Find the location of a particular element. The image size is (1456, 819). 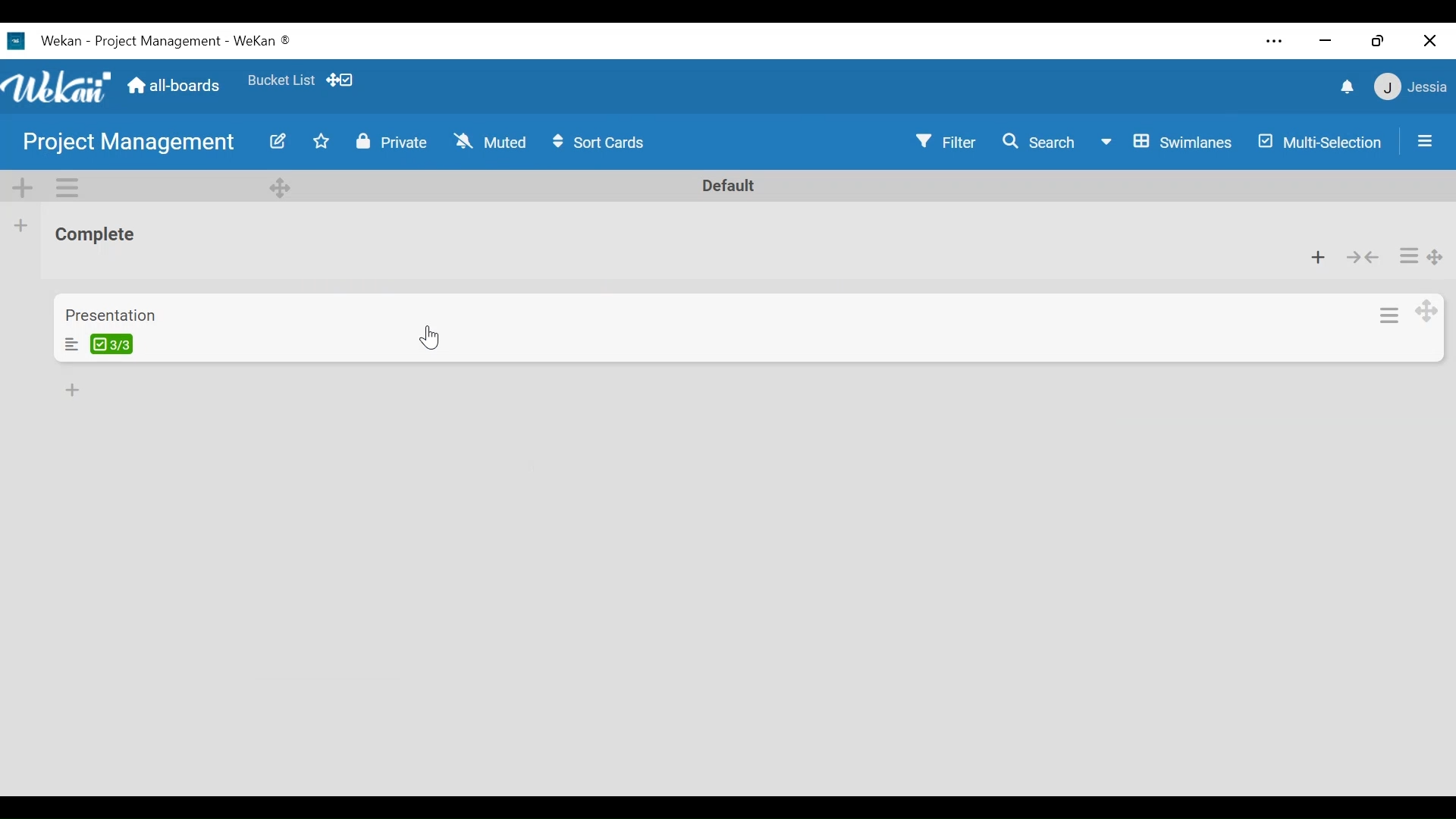

User Member is located at coordinates (1411, 86).